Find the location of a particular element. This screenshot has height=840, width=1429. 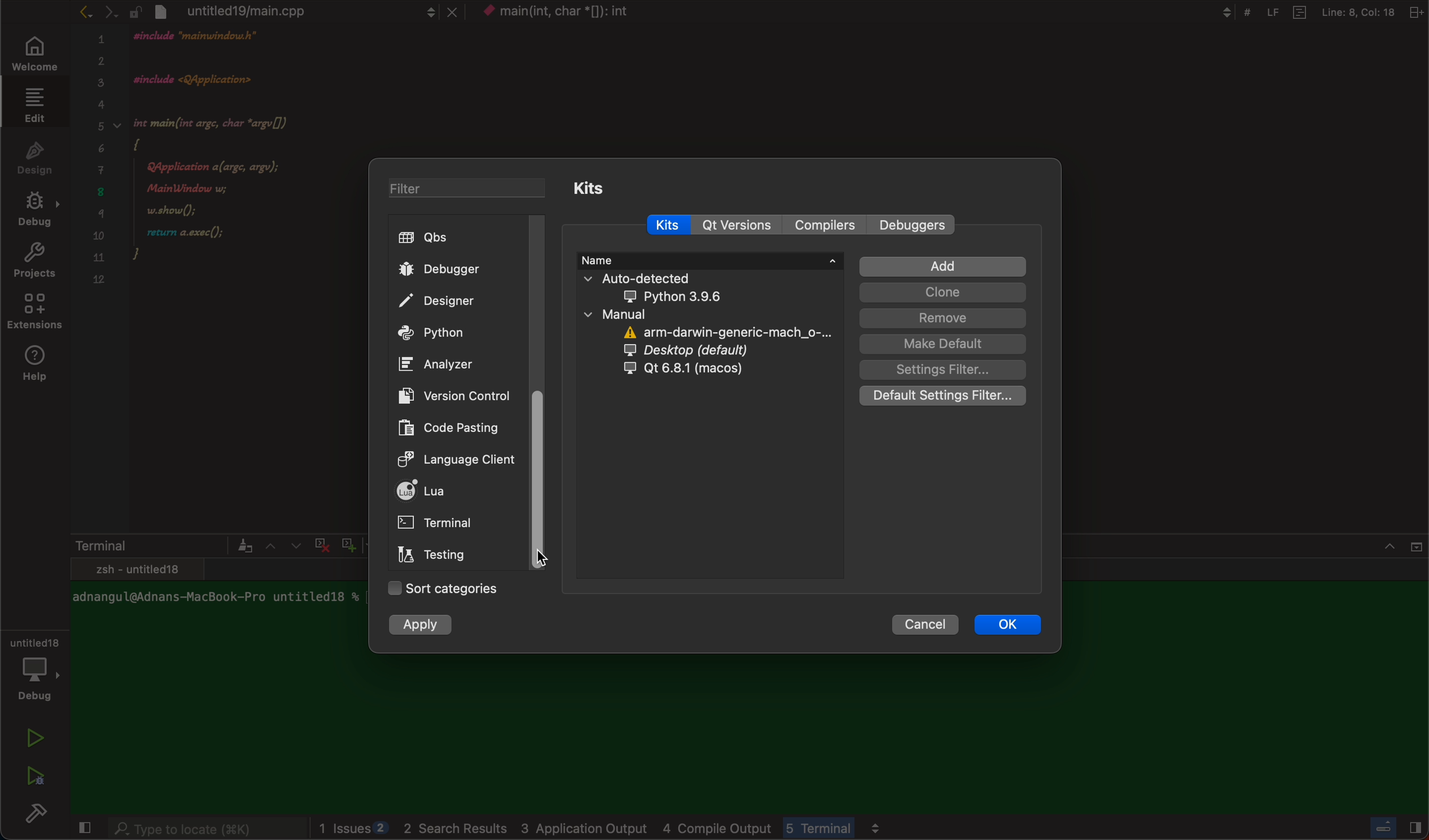

kits is located at coordinates (675, 225).